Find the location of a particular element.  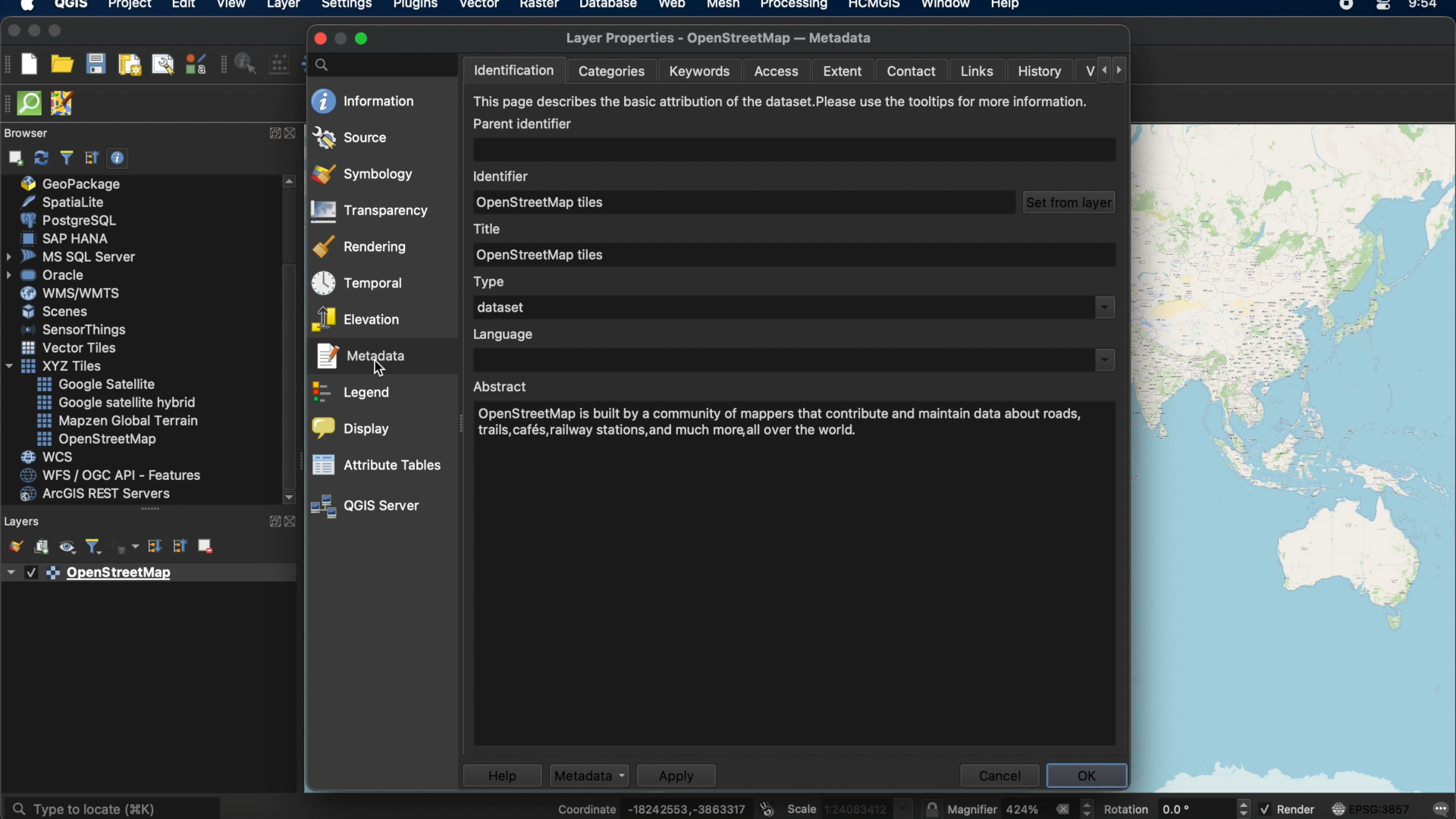

maximize is located at coordinates (57, 30).